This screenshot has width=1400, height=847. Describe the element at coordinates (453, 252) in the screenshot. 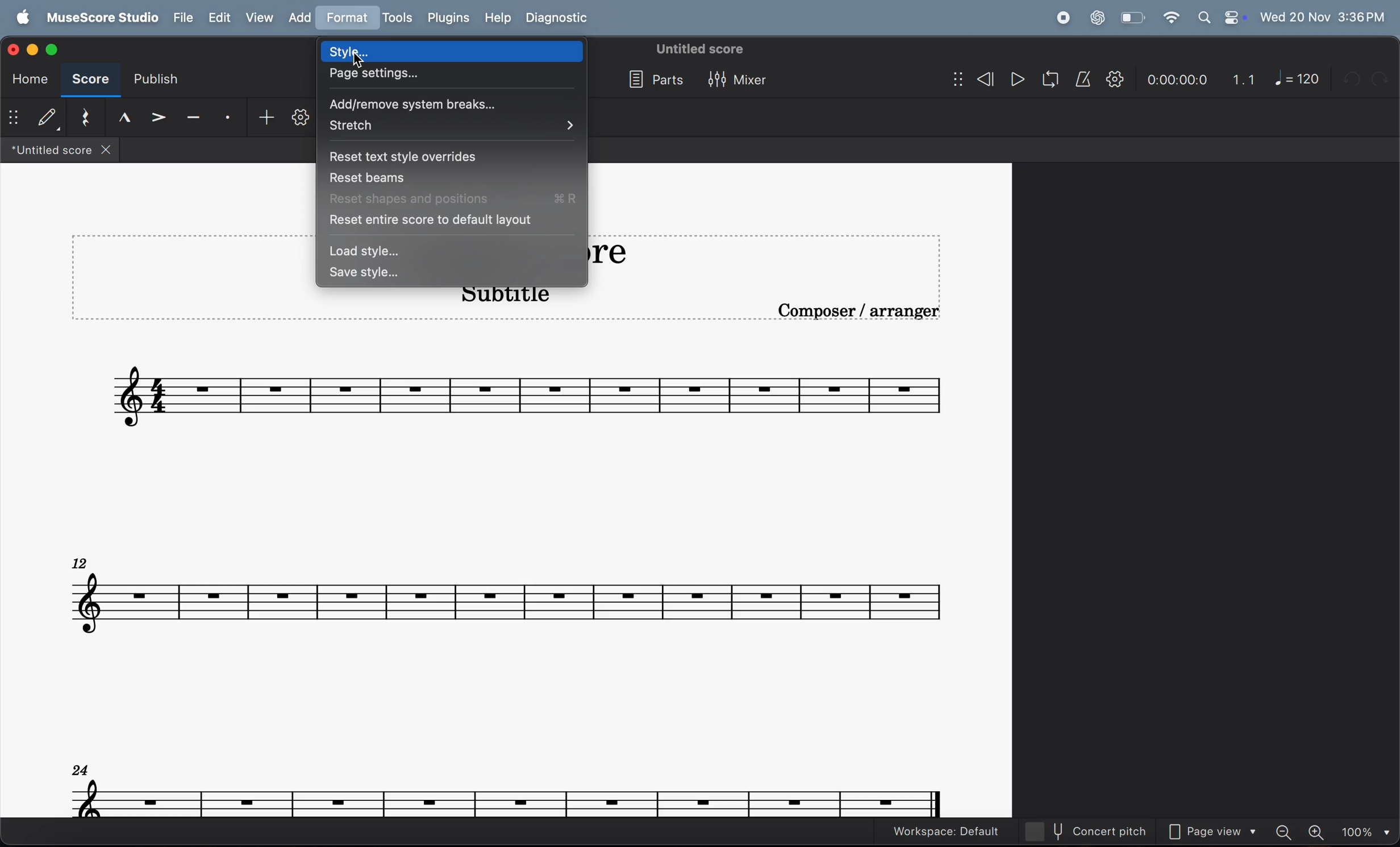

I see `load style` at that location.